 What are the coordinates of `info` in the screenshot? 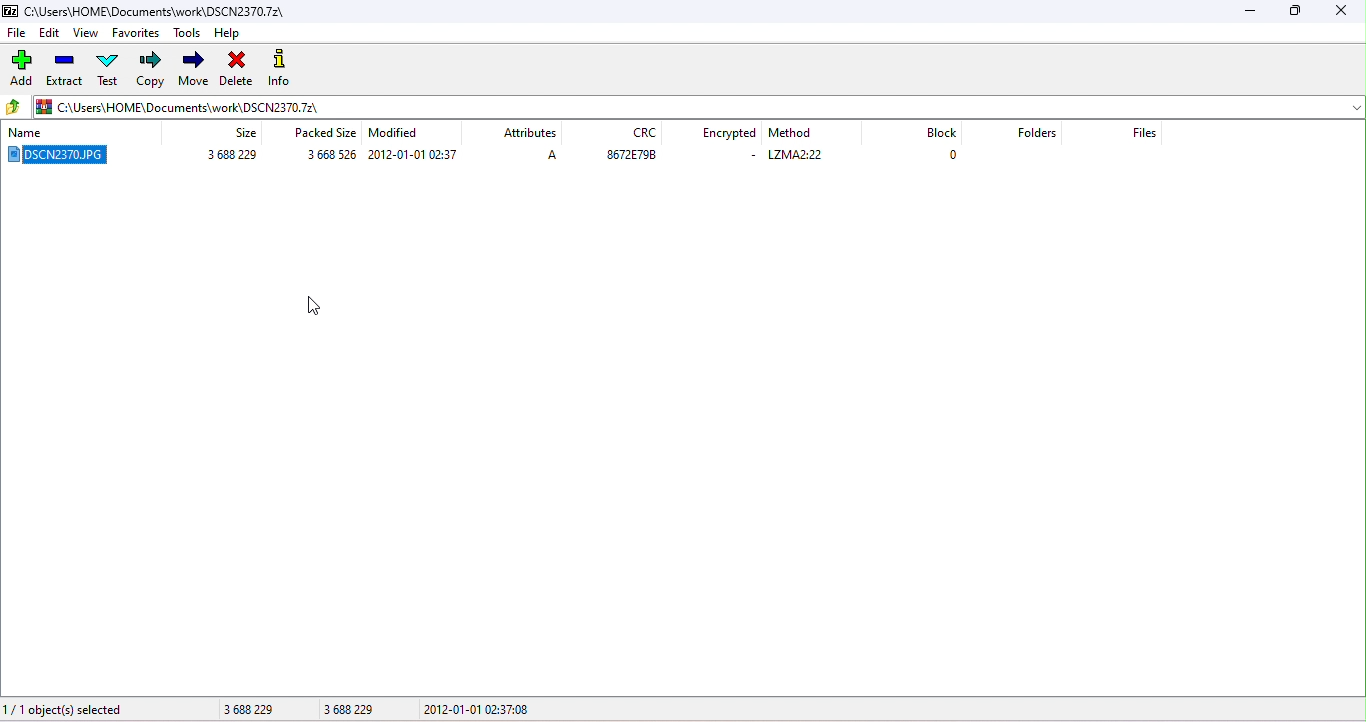 It's located at (283, 67).